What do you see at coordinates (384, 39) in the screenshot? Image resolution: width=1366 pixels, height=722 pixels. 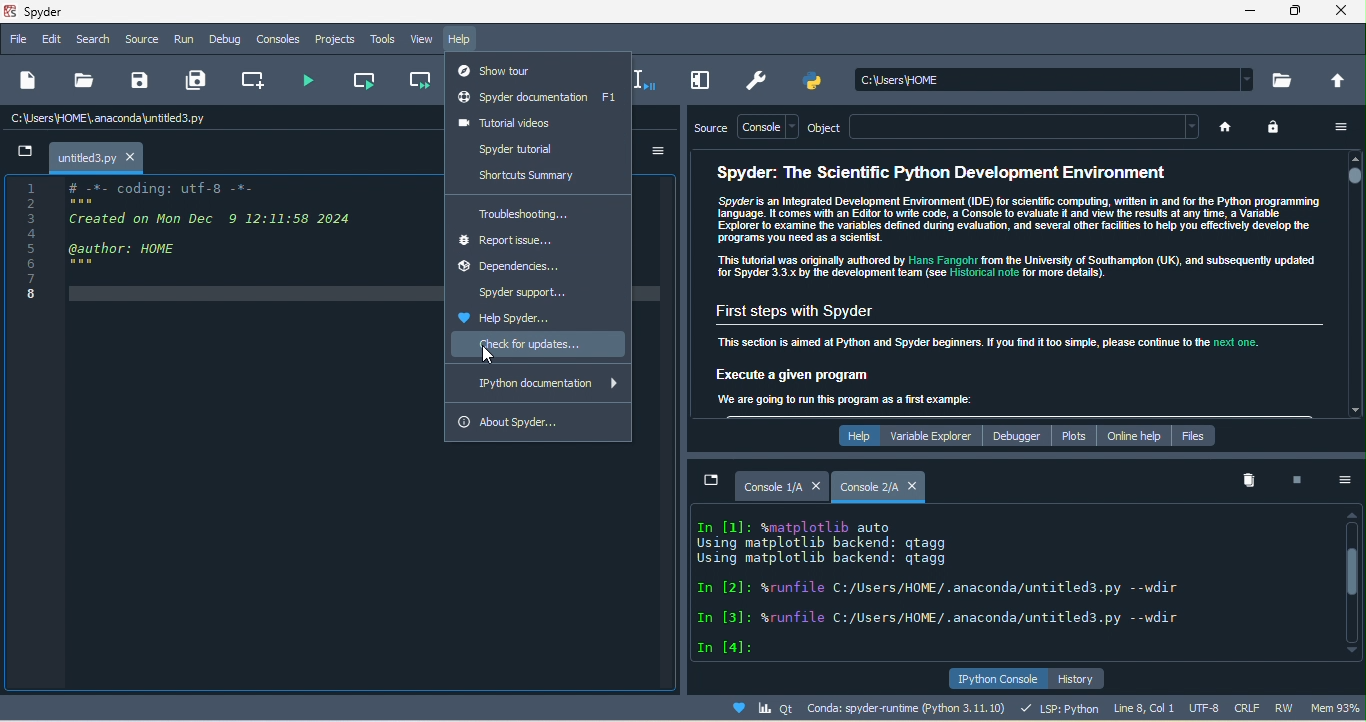 I see `tools` at bounding box center [384, 39].